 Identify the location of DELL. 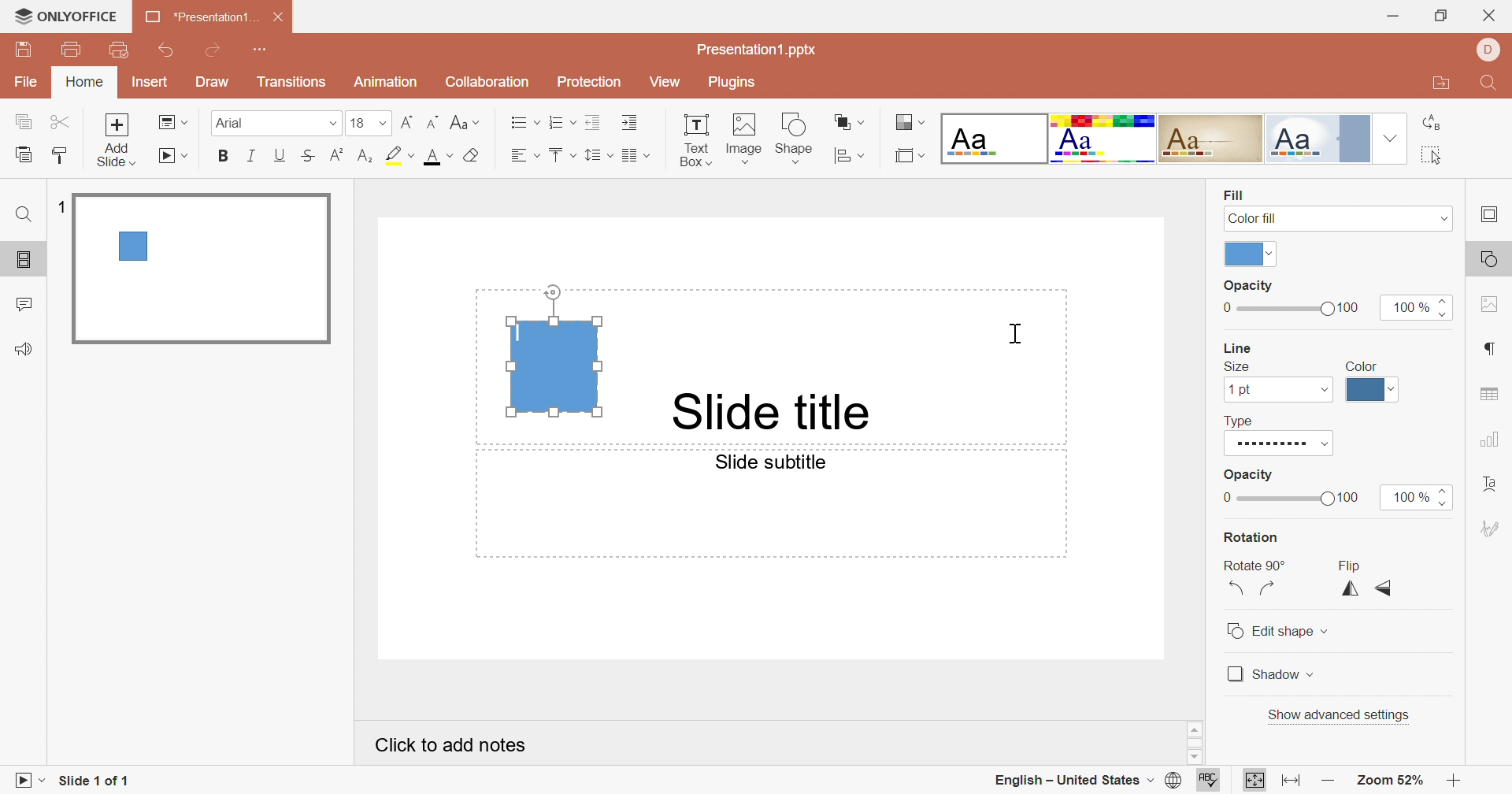
(1485, 50).